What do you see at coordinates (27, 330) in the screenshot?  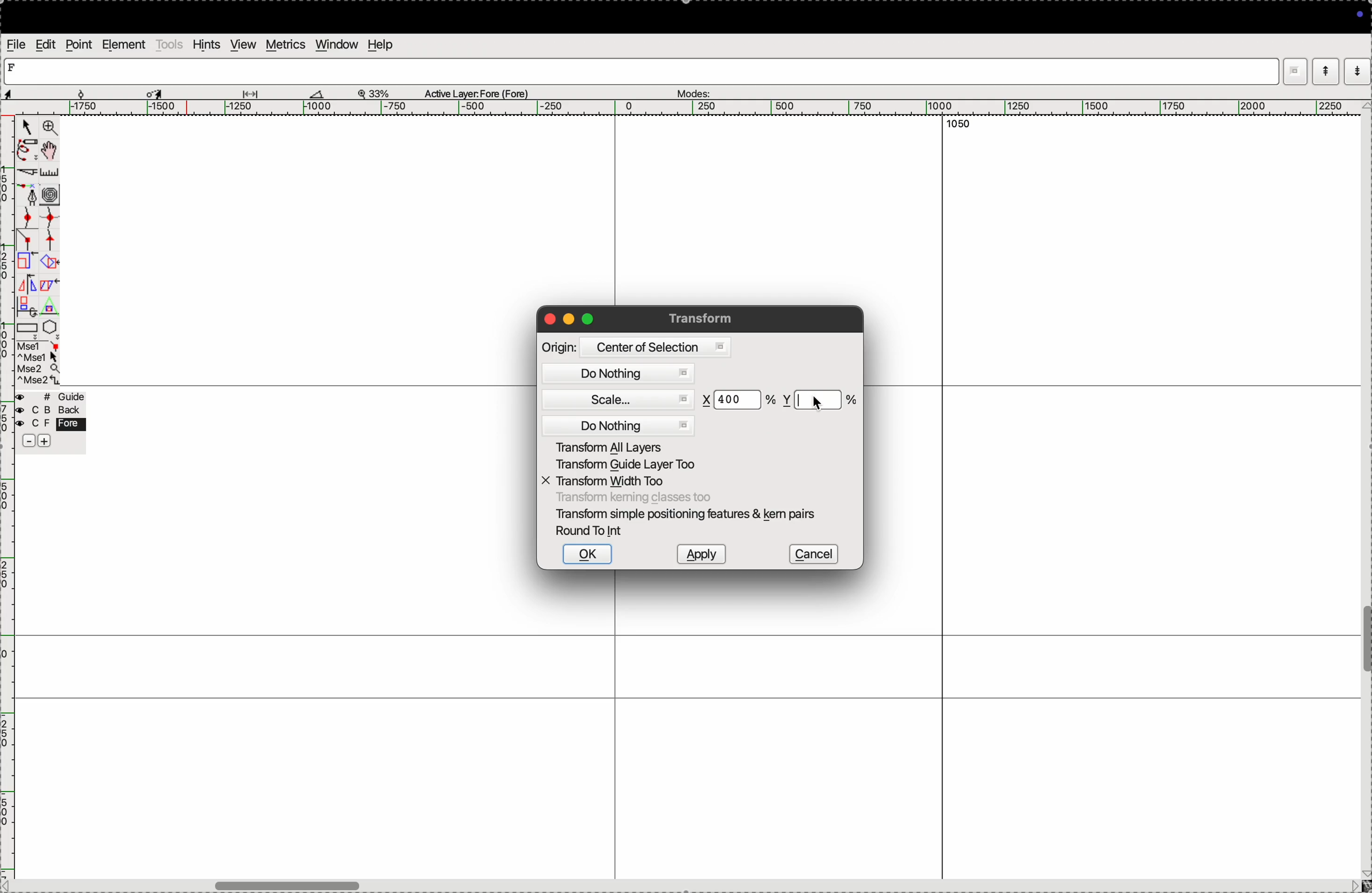 I see `rectangle` at bounding box center [27, 330].